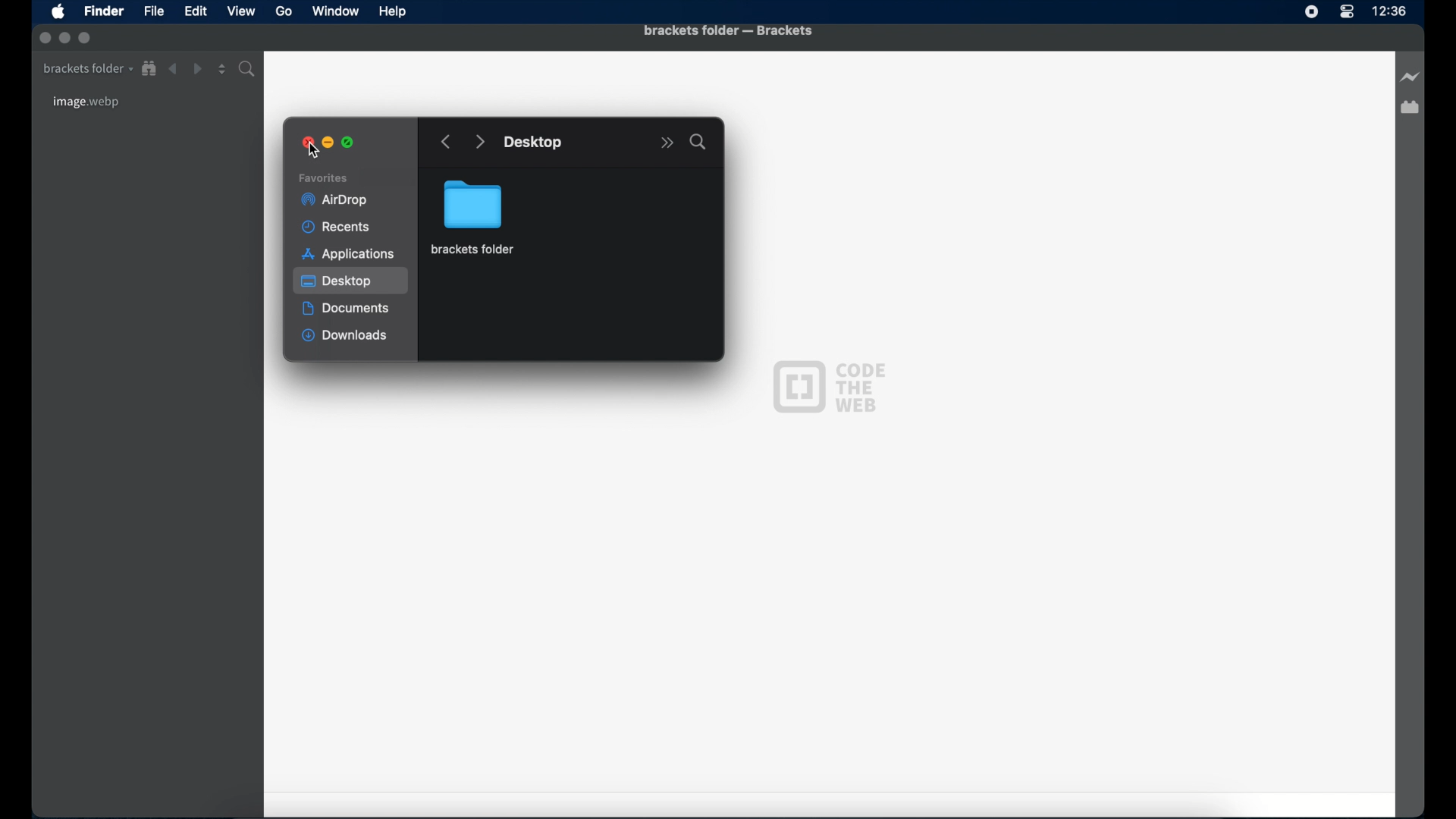 The width and height of the screenshot is (1456, 819). What do you see at coordinates (393, 12) in the screenshot?
I see `Help` at bounding box center [393, 12].